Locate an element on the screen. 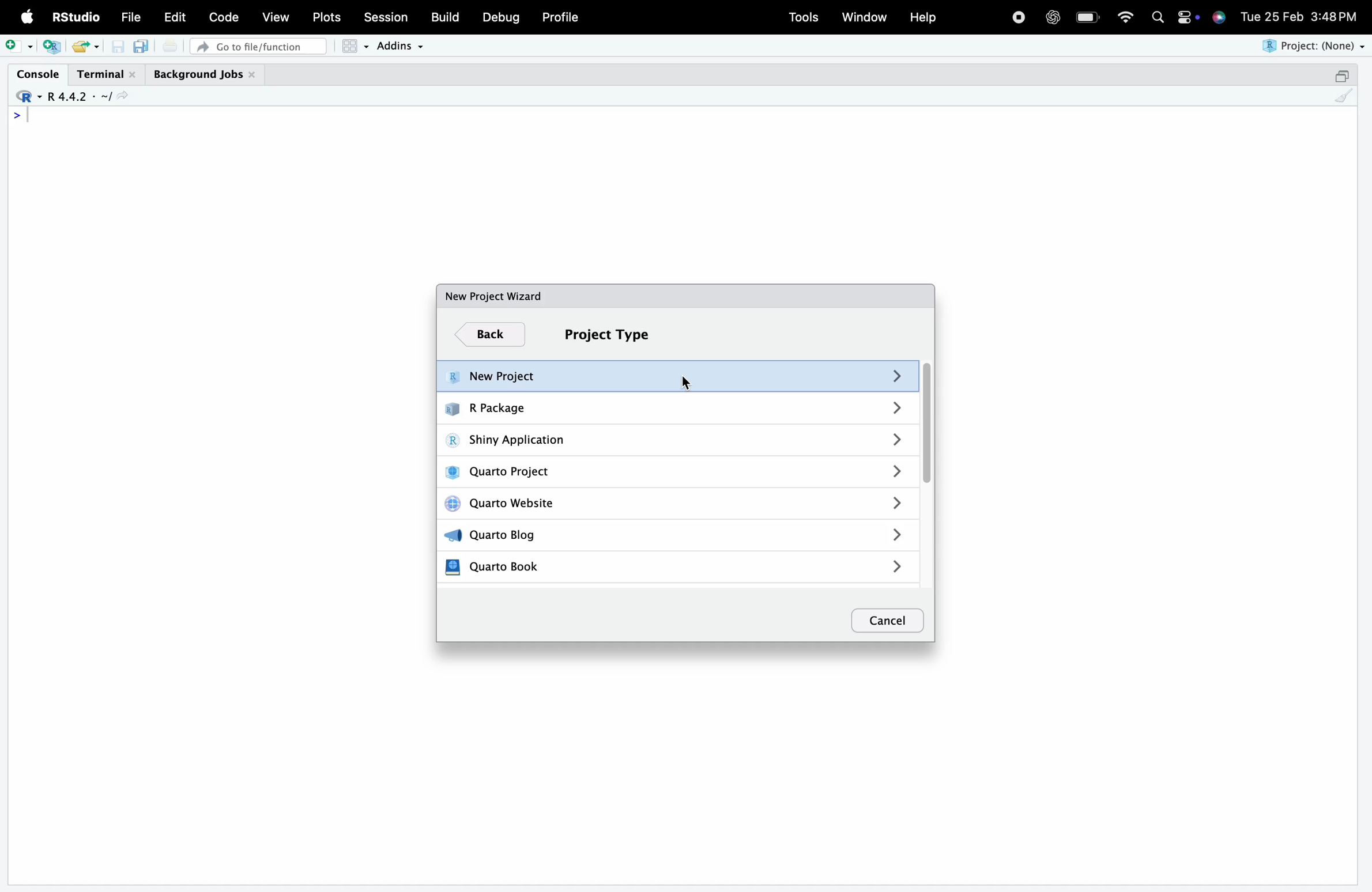 This screenshot has width=1372, height=892. Addins is located at coordinates (399, 46).